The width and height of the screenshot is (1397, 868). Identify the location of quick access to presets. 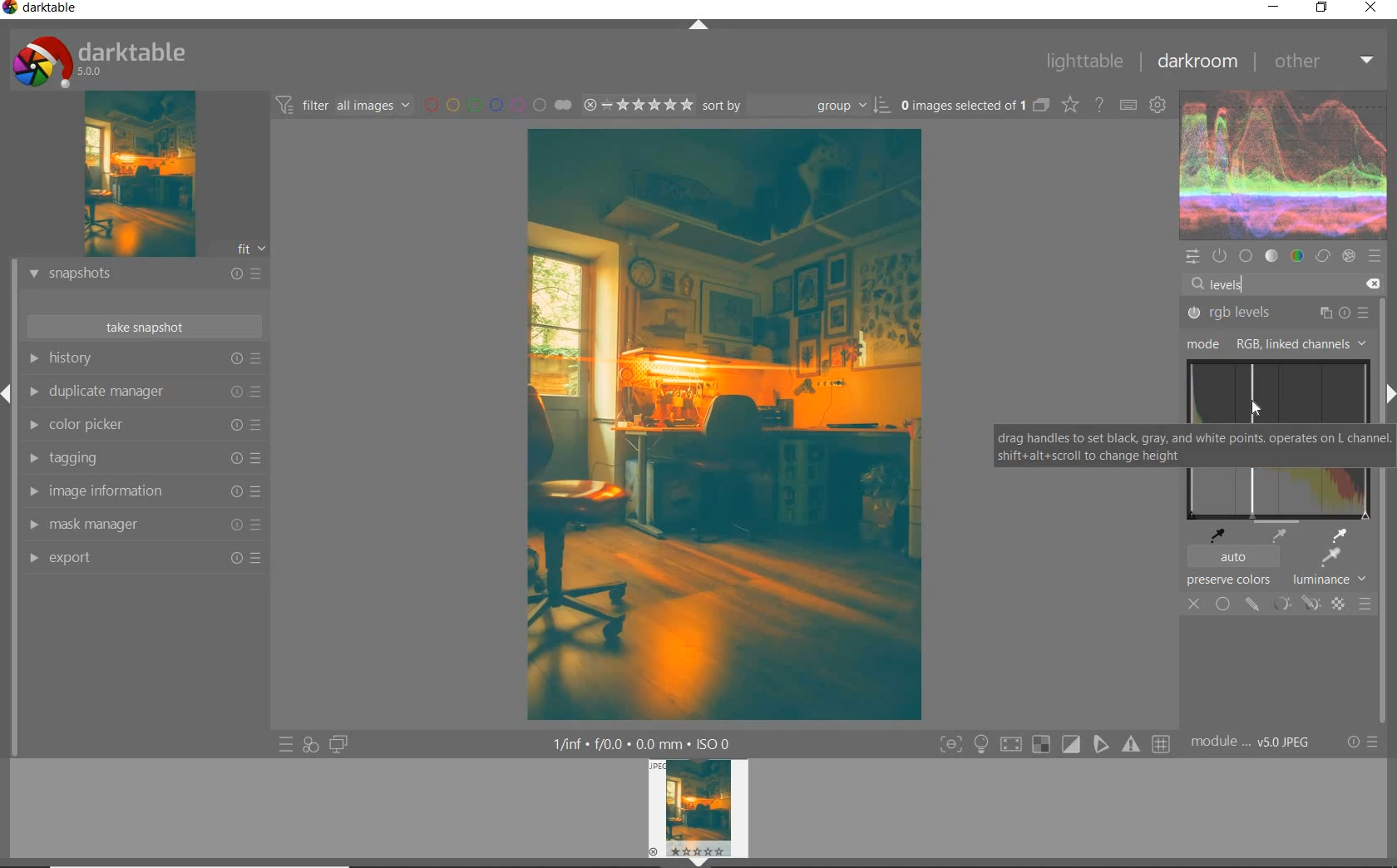
(287, 743).